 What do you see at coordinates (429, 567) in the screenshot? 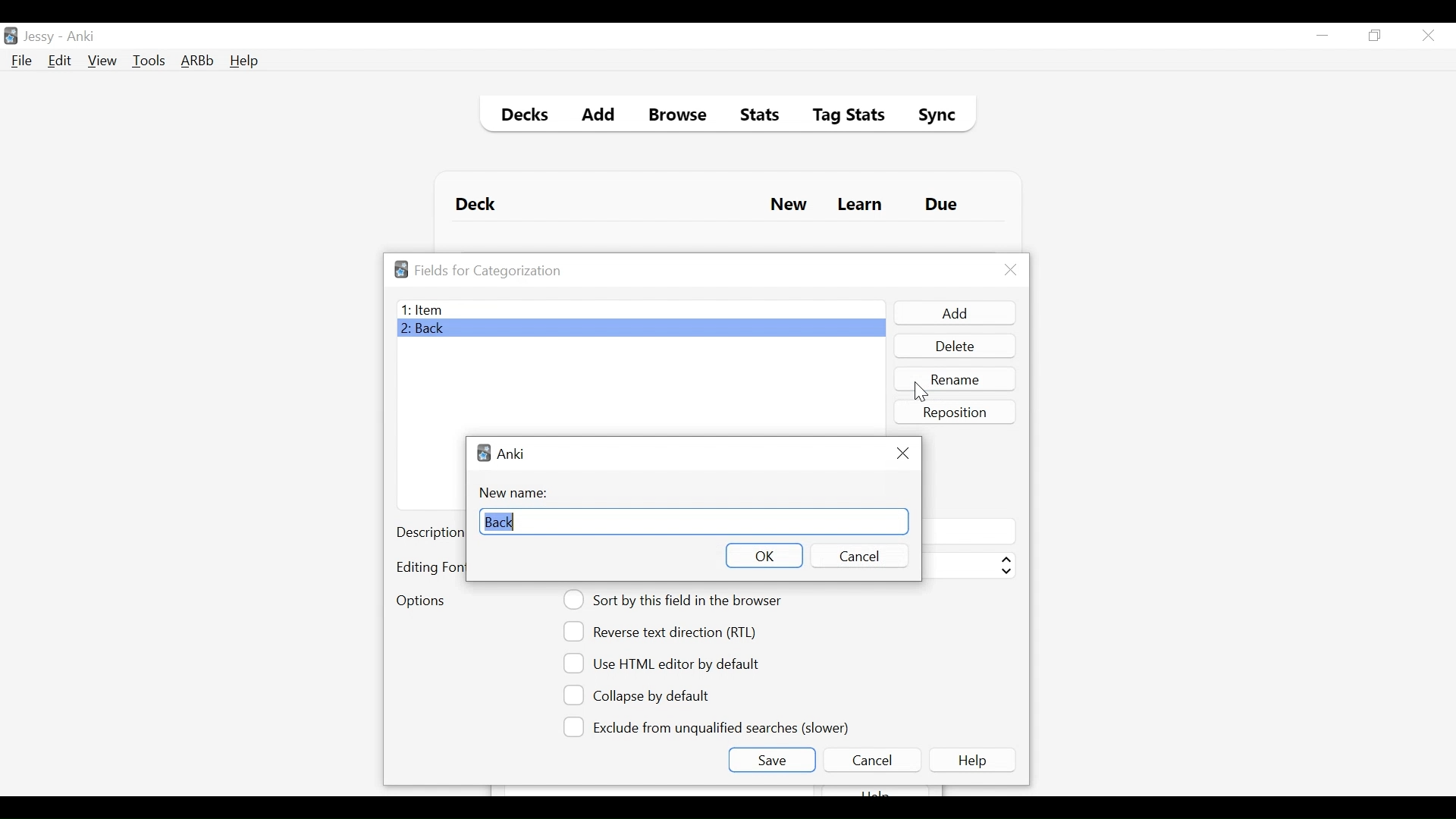
I see `Editing Font` at bounding box center [429, 567].